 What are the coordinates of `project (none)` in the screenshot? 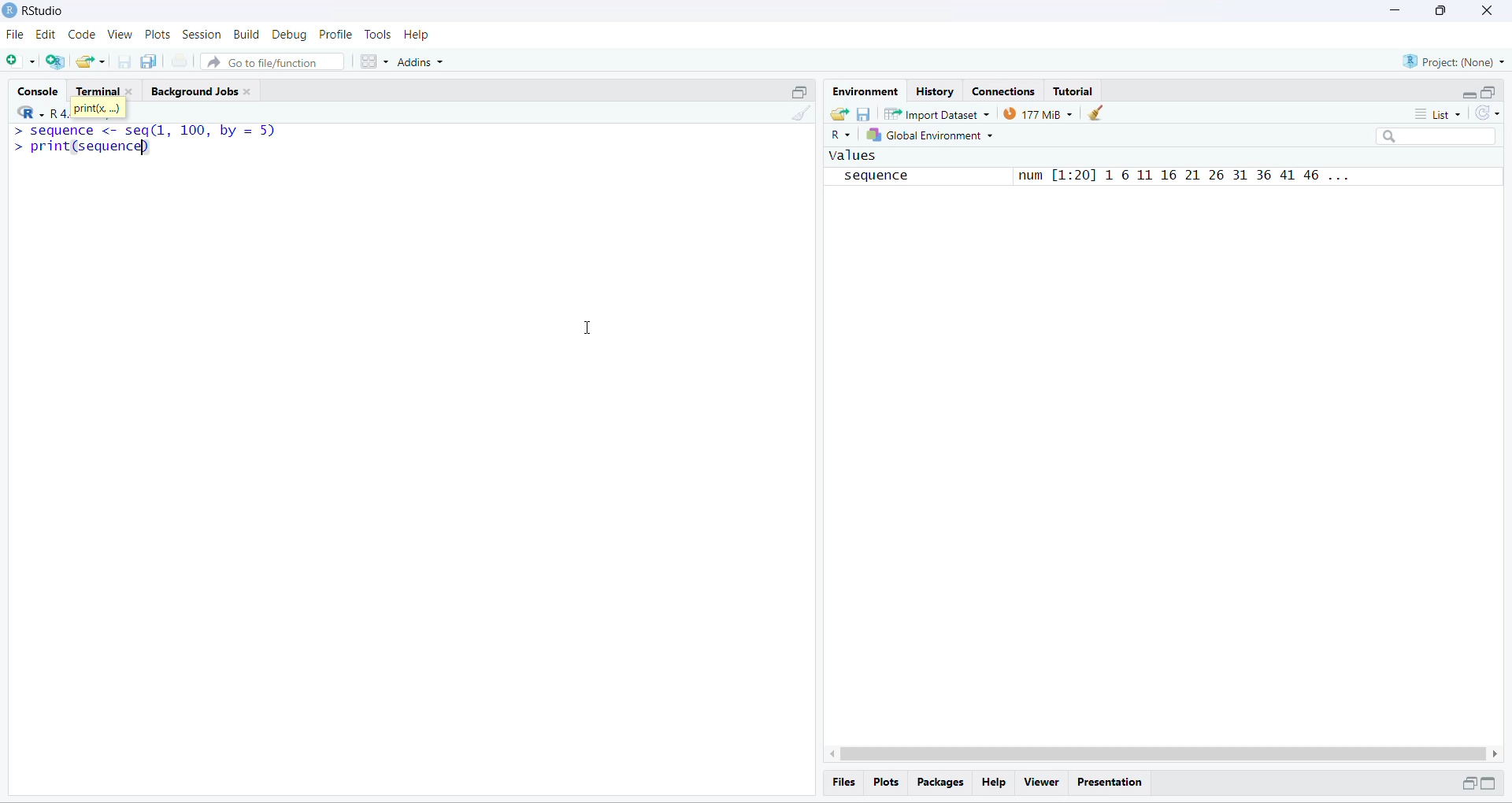 It's located at (1453, 61).